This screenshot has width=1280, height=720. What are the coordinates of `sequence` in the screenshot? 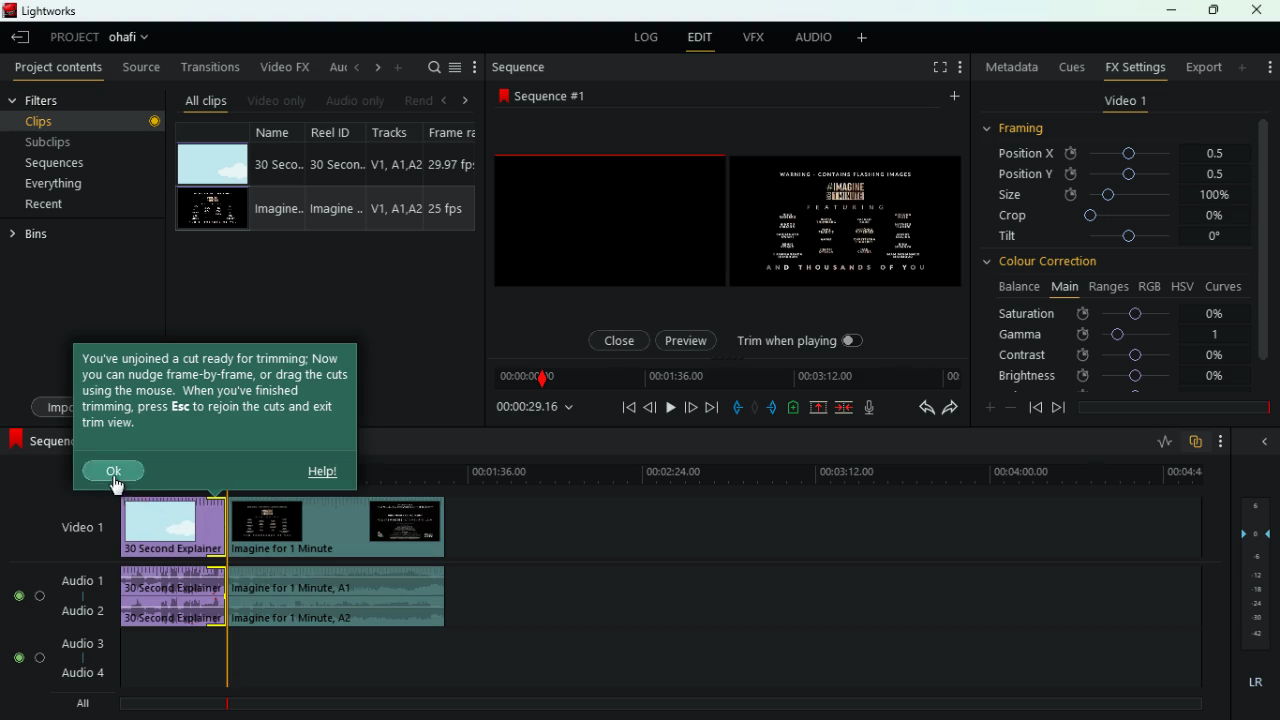 It's located at (39, 442).